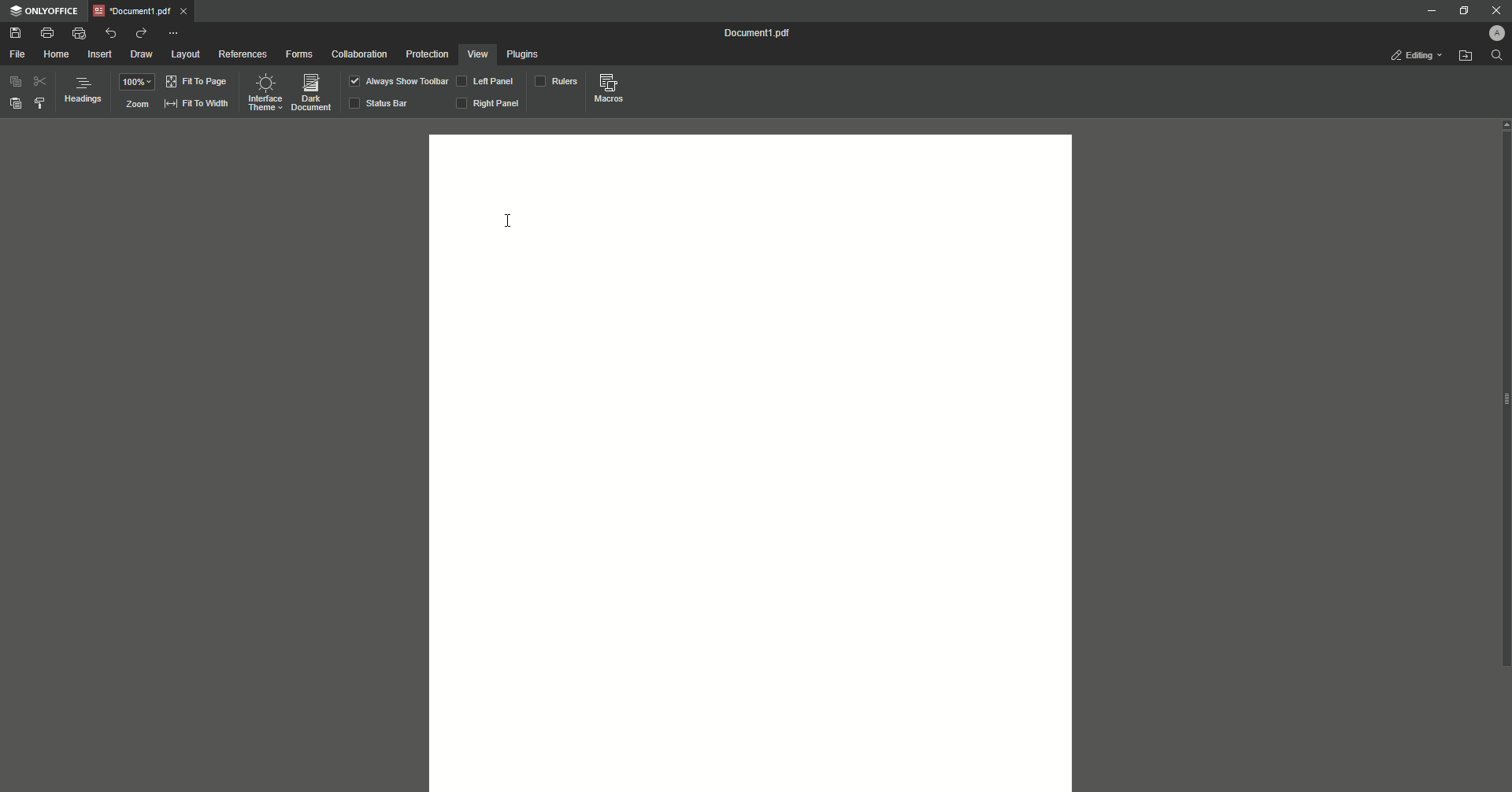 This screenshot has width=1512, height=792. What do you see at coordinates (310, 91) in the screenshot?
I see `Dark Document` at bounding box center [310, 91].